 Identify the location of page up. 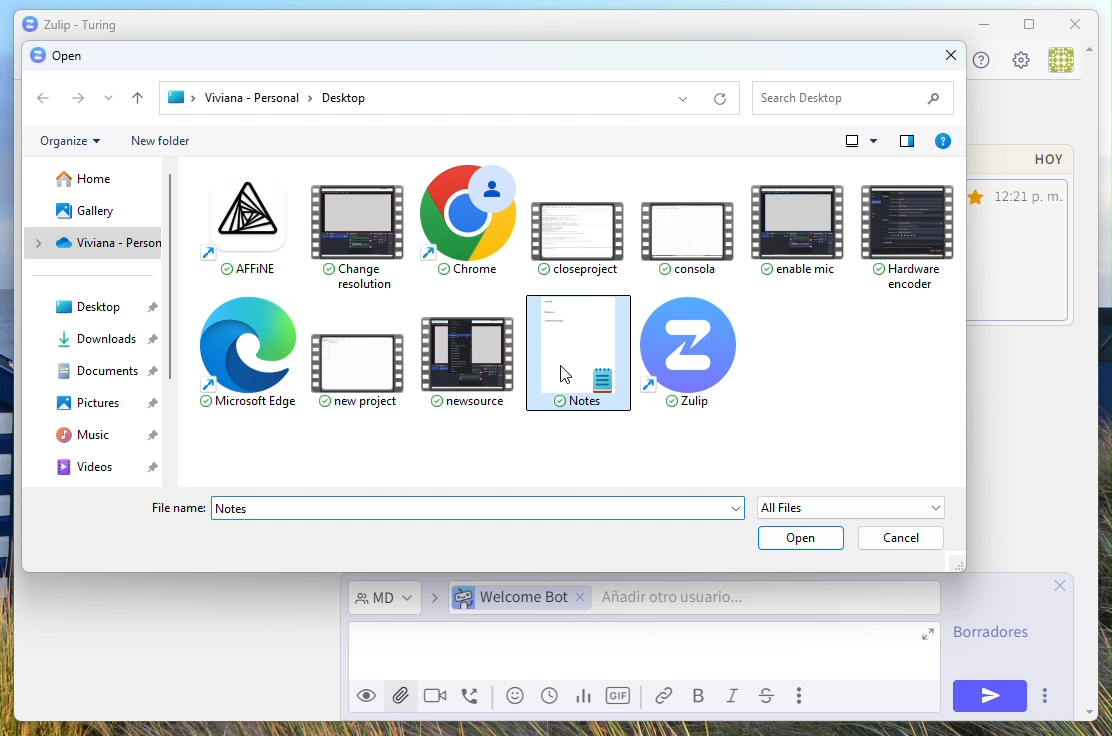
(1094, 63).